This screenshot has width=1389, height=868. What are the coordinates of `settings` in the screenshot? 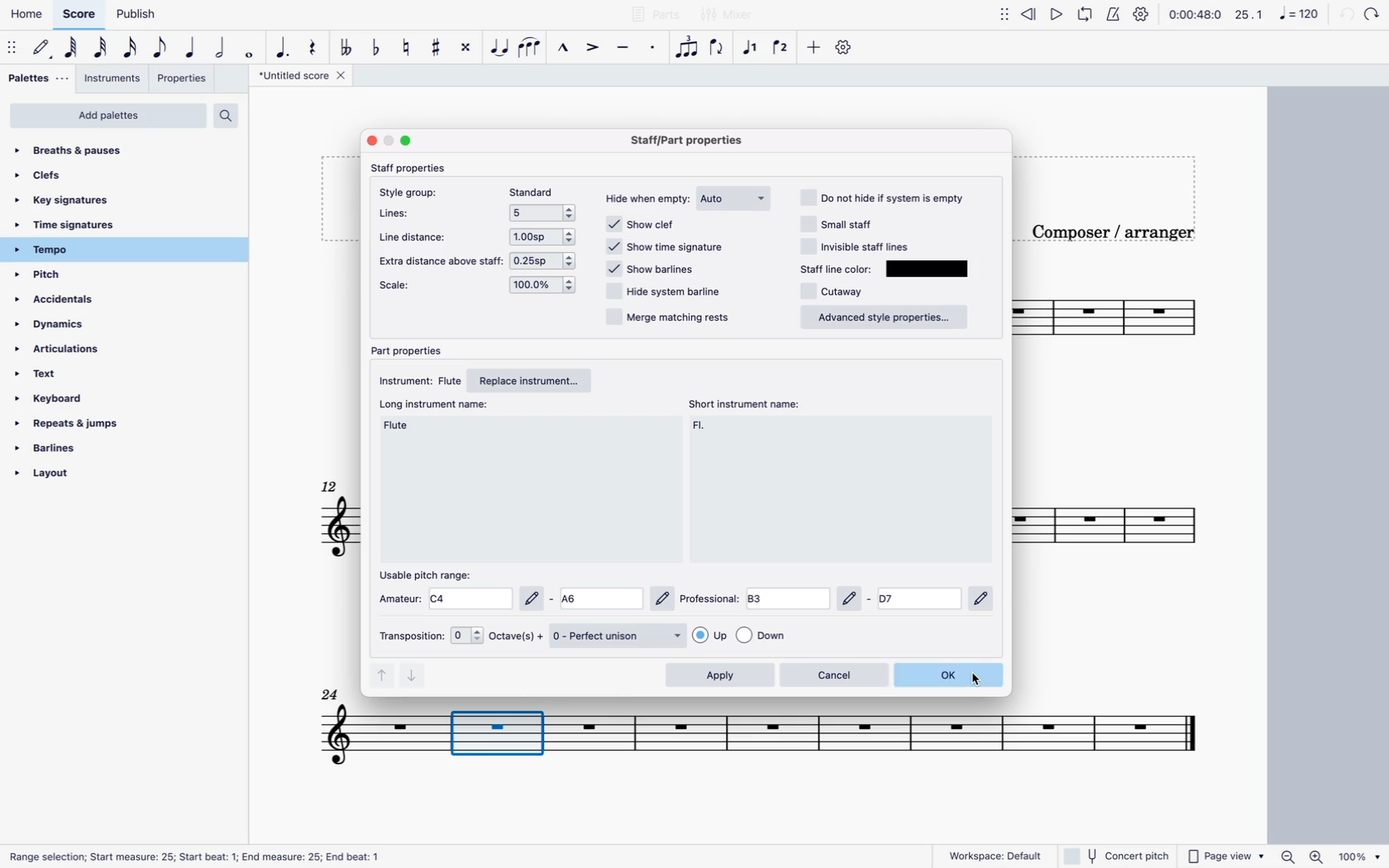 It's located at (1141, 16).